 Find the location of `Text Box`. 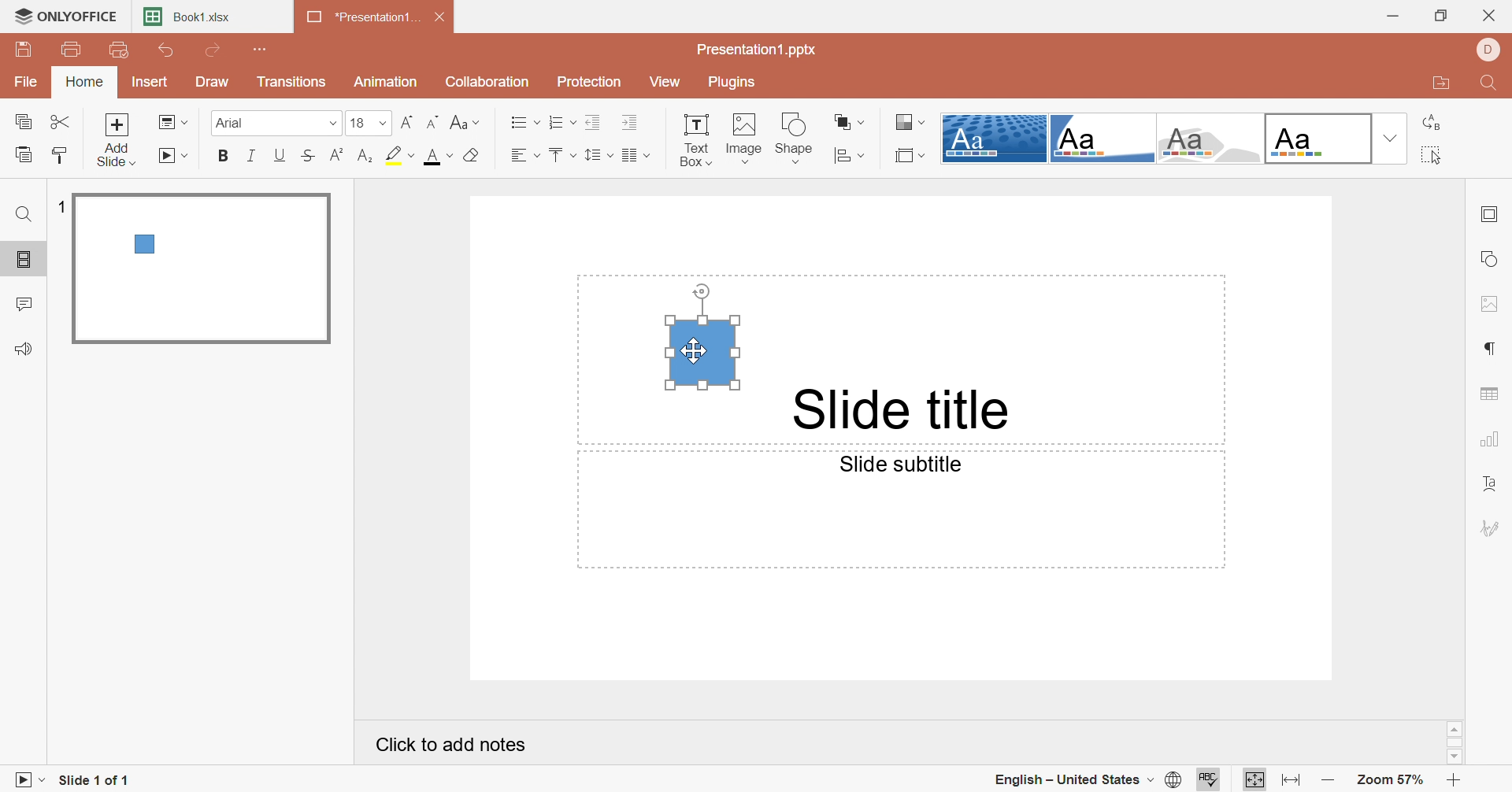

Text Box is located at coordinates (703, 353).